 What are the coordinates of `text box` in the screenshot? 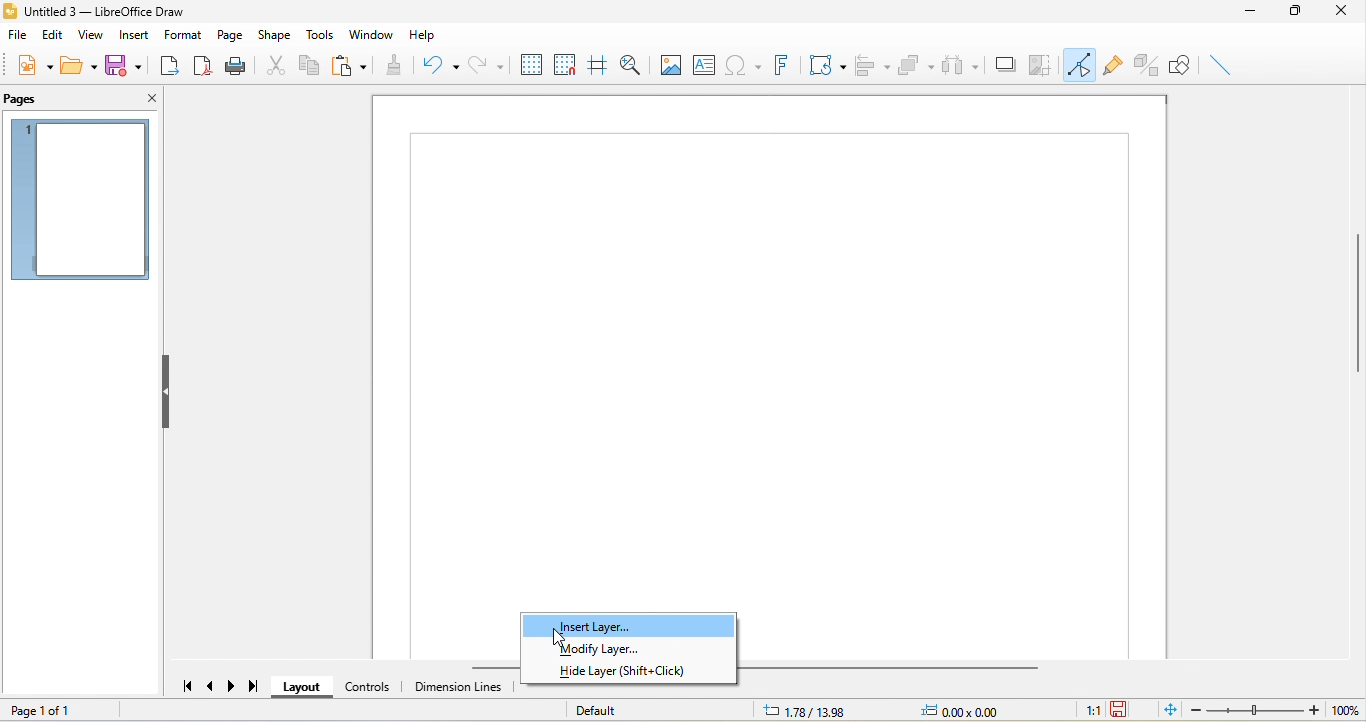 It's located at (702, 65).